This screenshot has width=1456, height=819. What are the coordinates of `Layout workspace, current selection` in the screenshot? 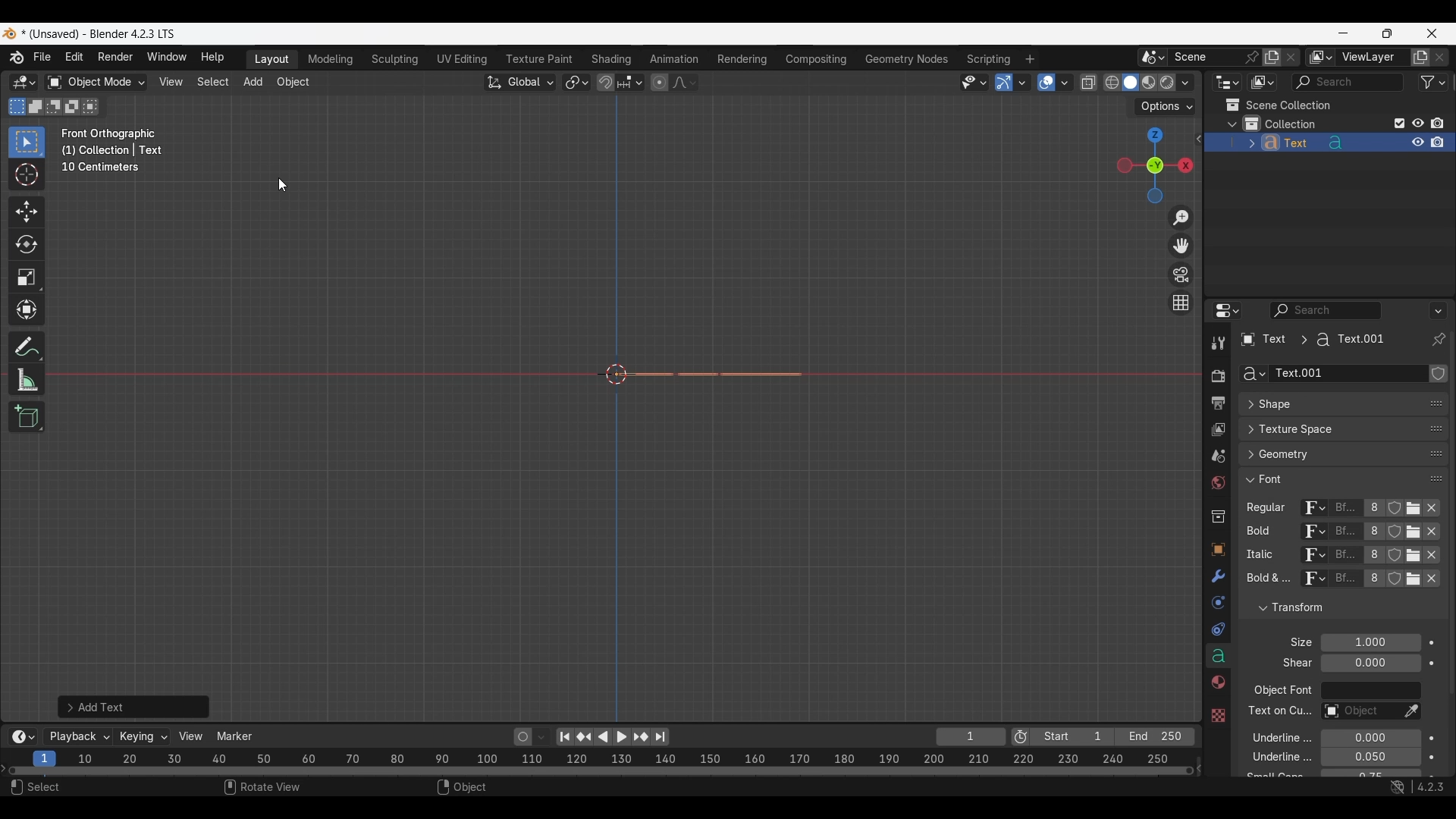 It's located at (271, 60).